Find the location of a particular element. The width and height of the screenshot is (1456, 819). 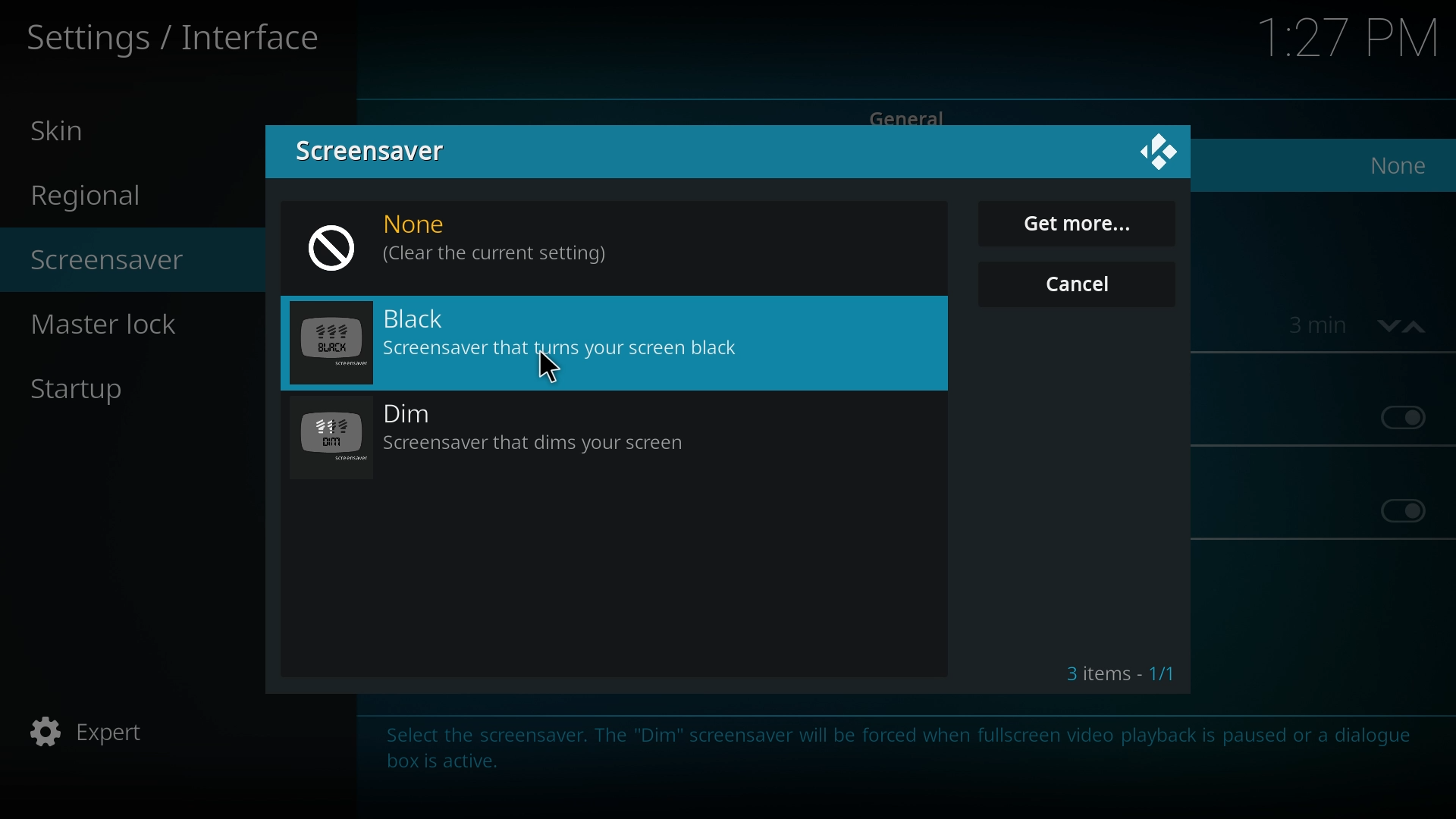

decrease time is located at coordinates (1385, 329).